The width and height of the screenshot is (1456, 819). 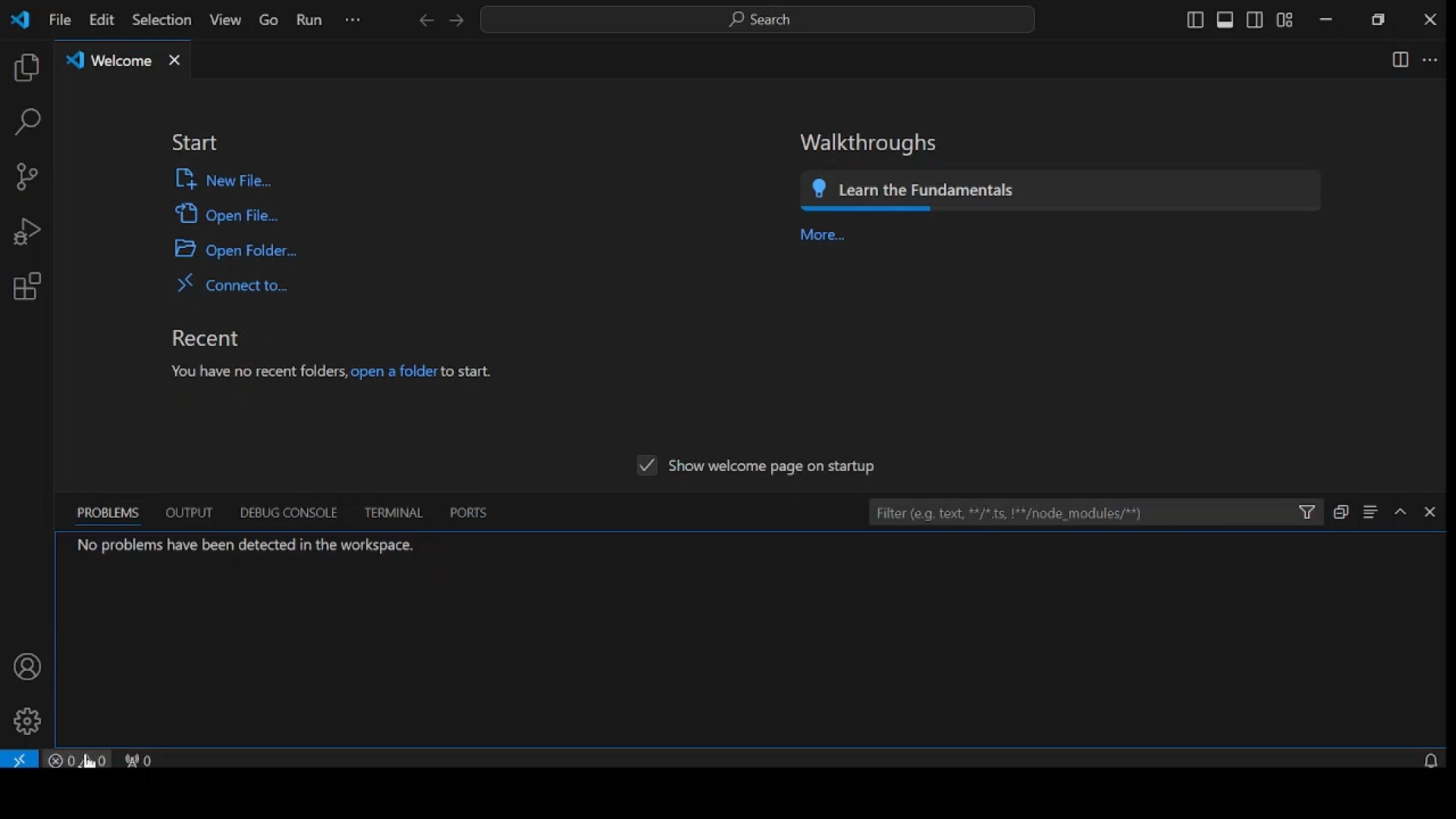 I want to click on more, so click(x=828, y=236).